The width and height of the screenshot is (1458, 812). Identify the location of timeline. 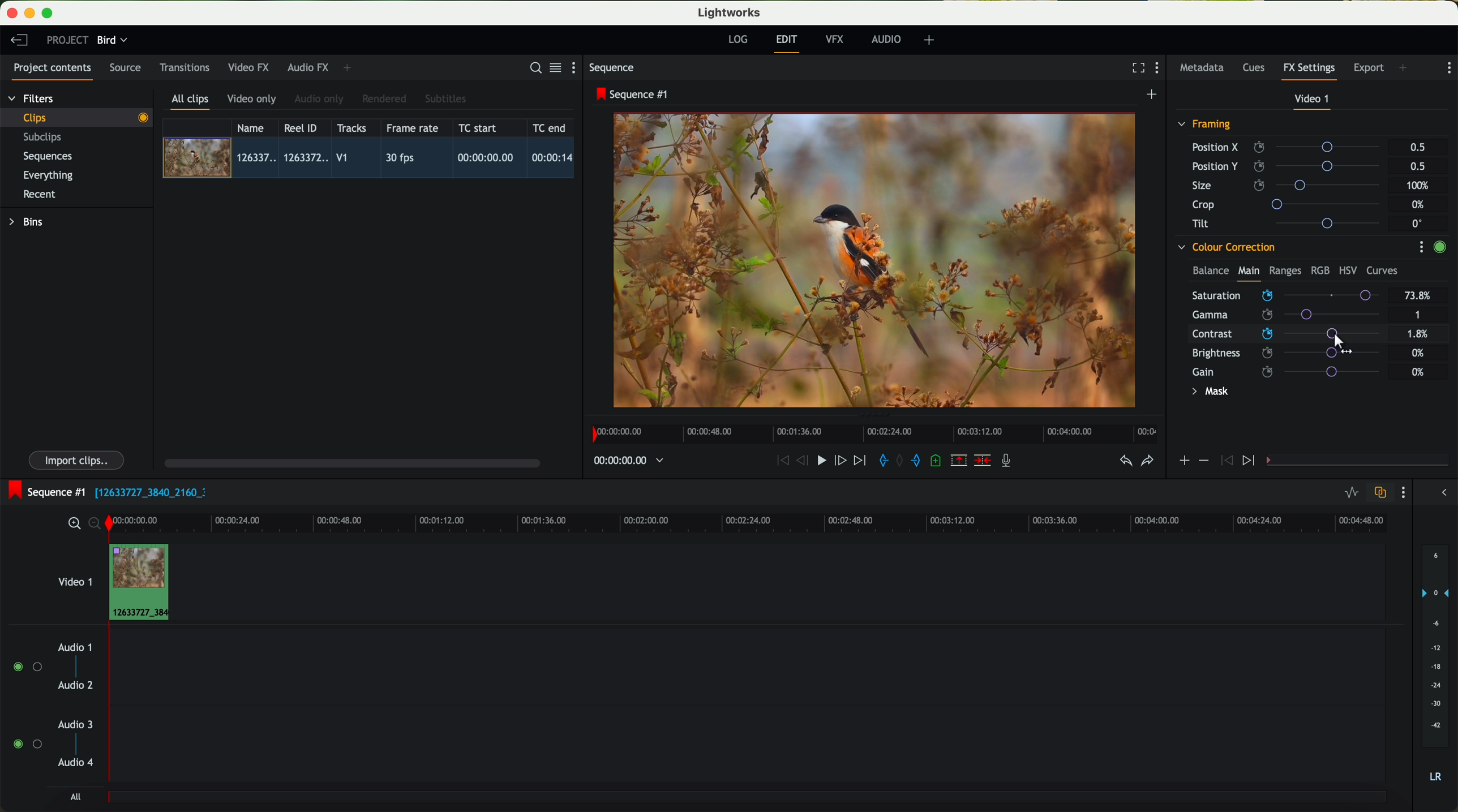
(871, 431).